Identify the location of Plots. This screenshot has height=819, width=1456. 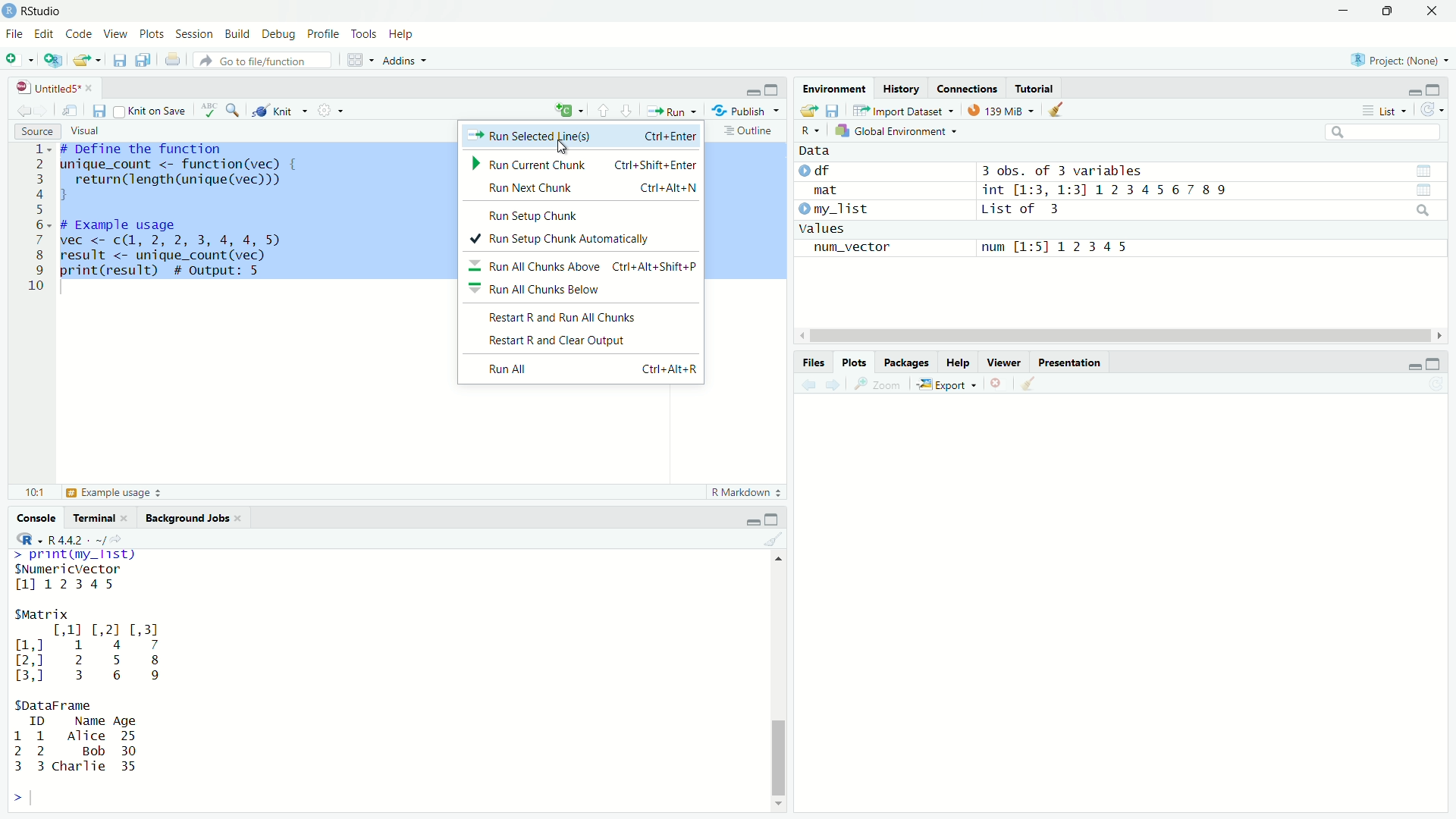
(152, 34).